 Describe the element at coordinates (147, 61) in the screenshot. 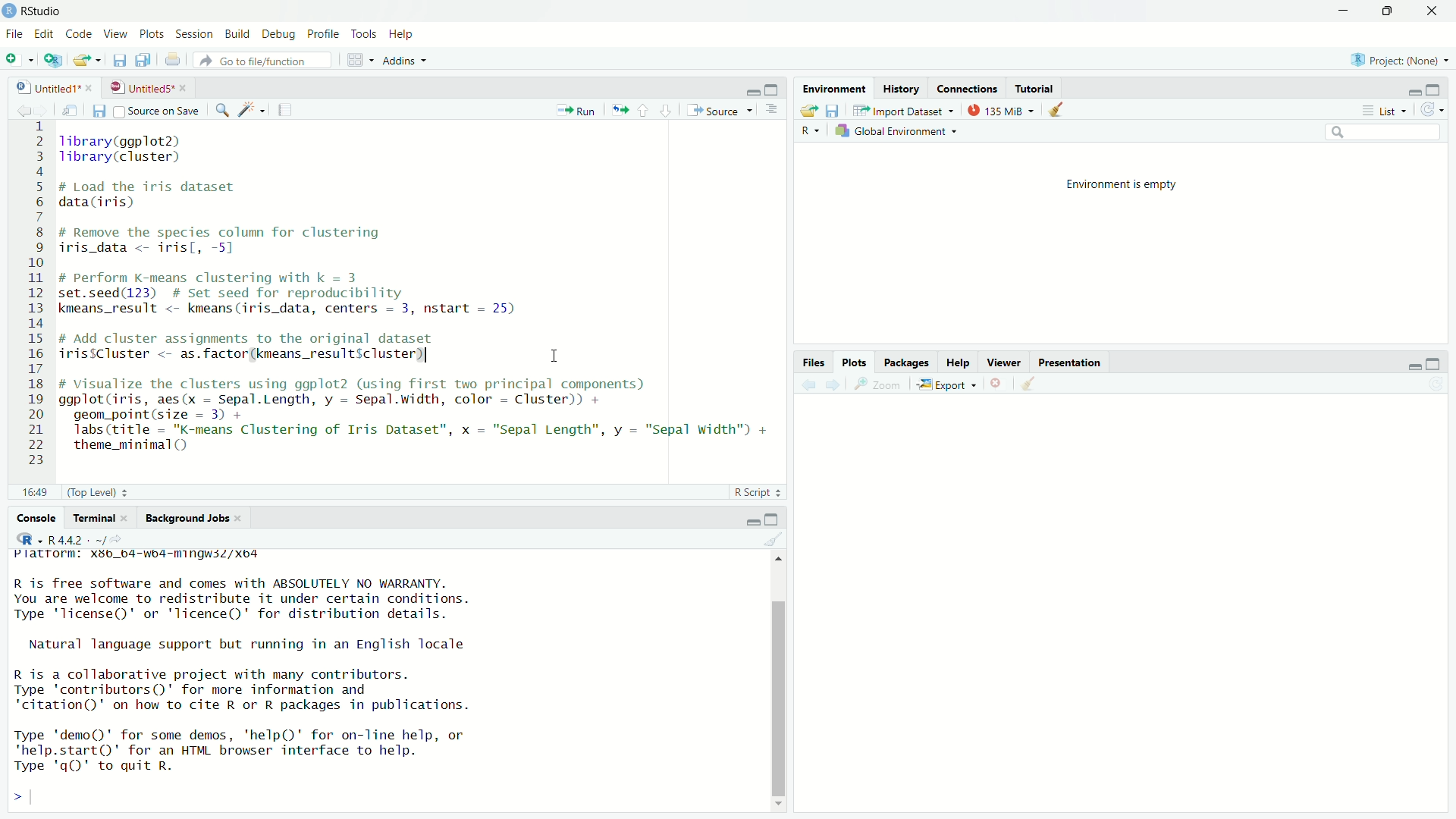

I see `save all open documents` at that location.